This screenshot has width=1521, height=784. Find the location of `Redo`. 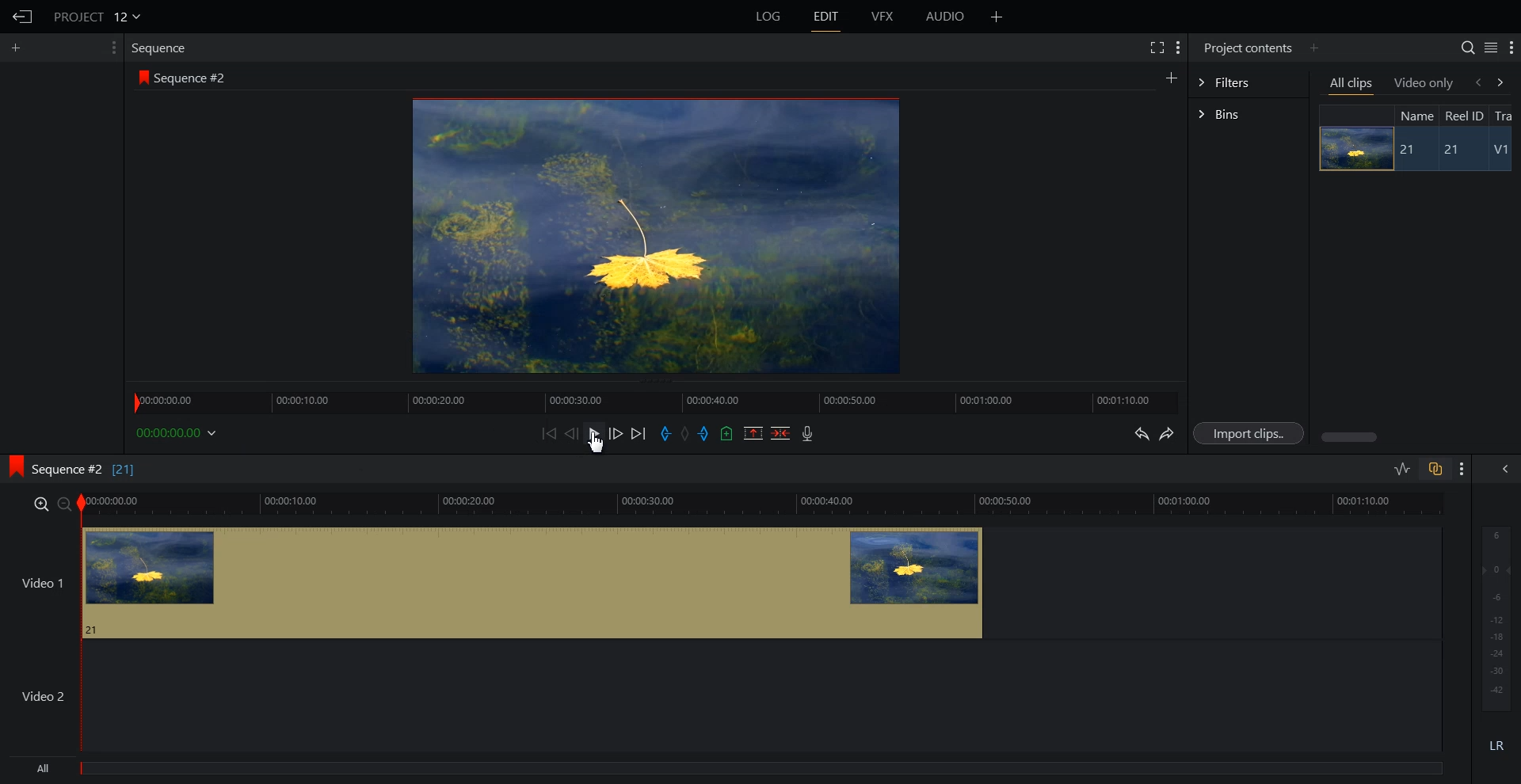

Redo is located at coordinates (1168, 434).